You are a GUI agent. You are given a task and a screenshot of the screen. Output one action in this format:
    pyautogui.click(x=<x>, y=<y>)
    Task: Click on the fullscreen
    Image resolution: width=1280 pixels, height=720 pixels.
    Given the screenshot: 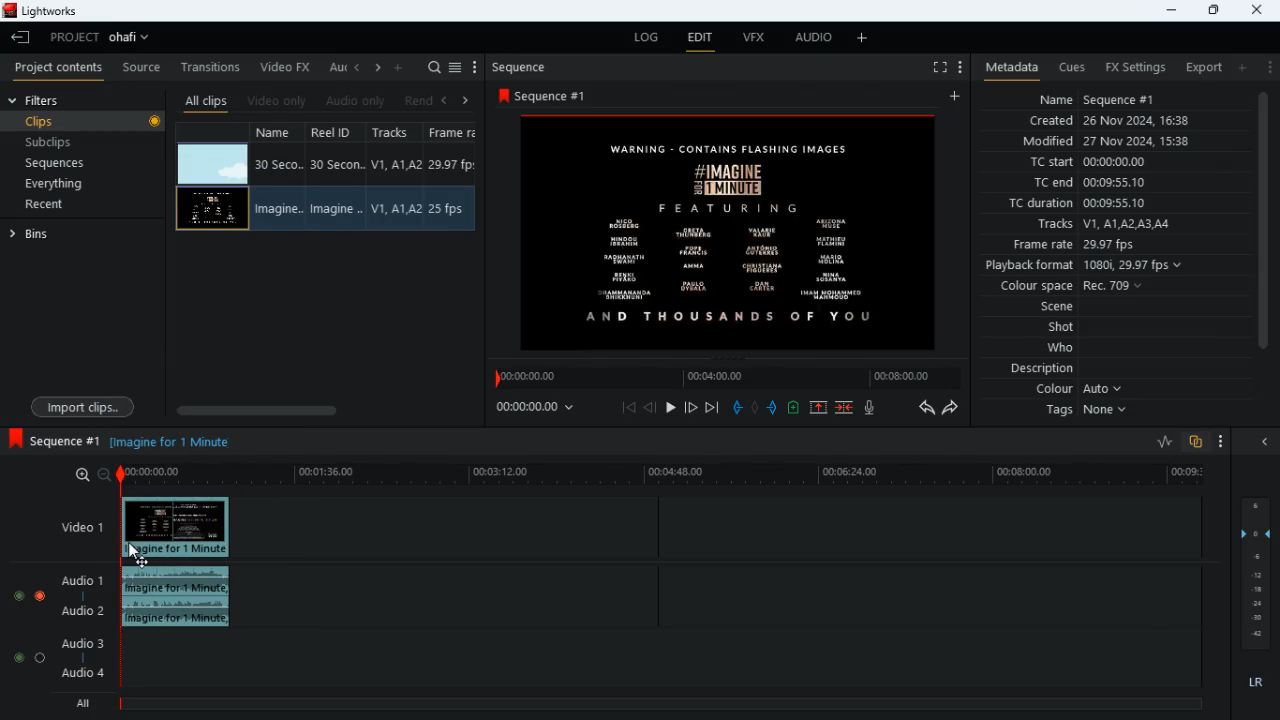 What is the action you would take?
    pyautogui.click(x=937, y=65)
    